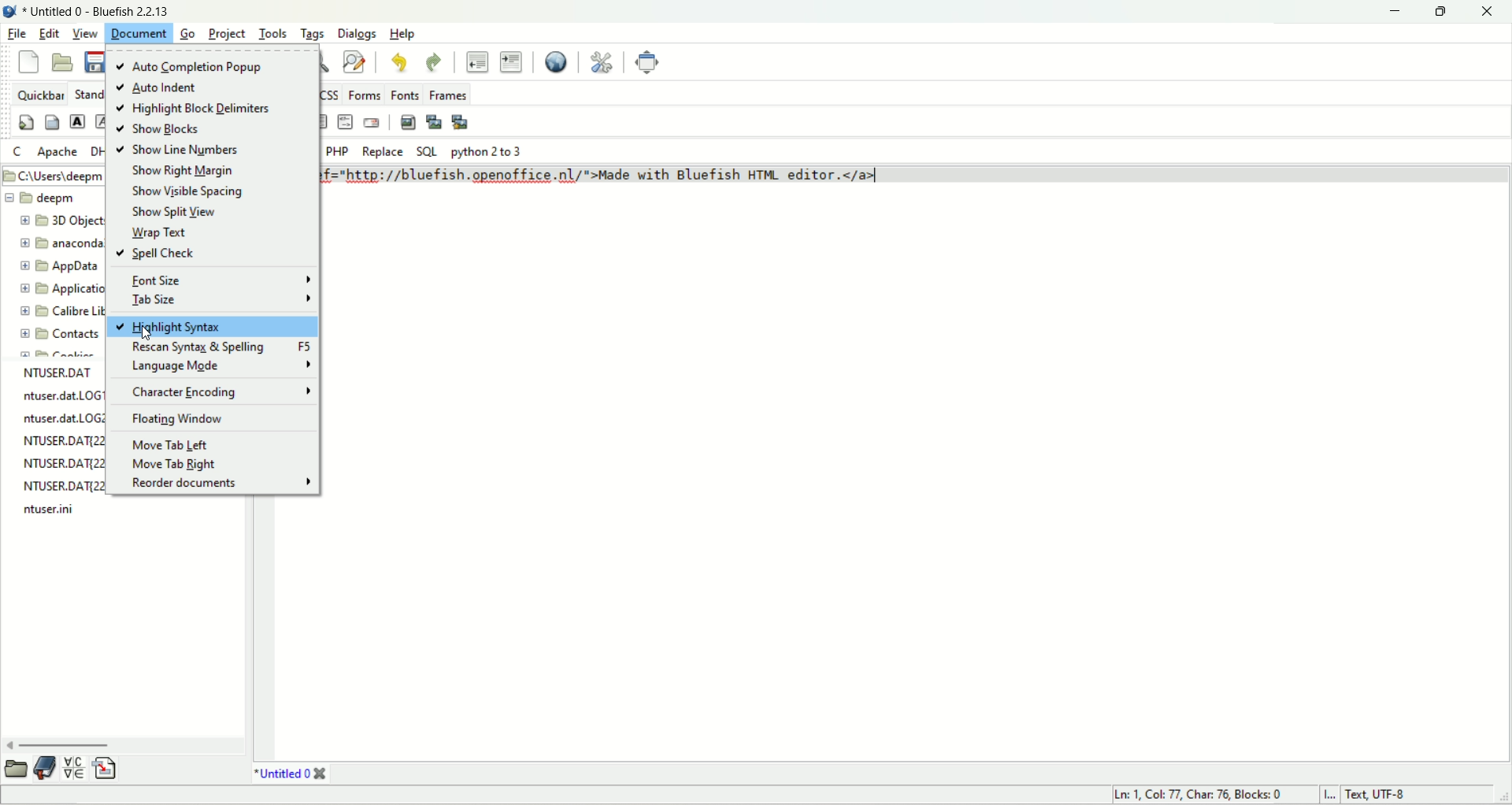 The image size is (1512, 805). Describe the element at coordinates (221, 484) in the screenshot. I see `reorder documents` at that location.